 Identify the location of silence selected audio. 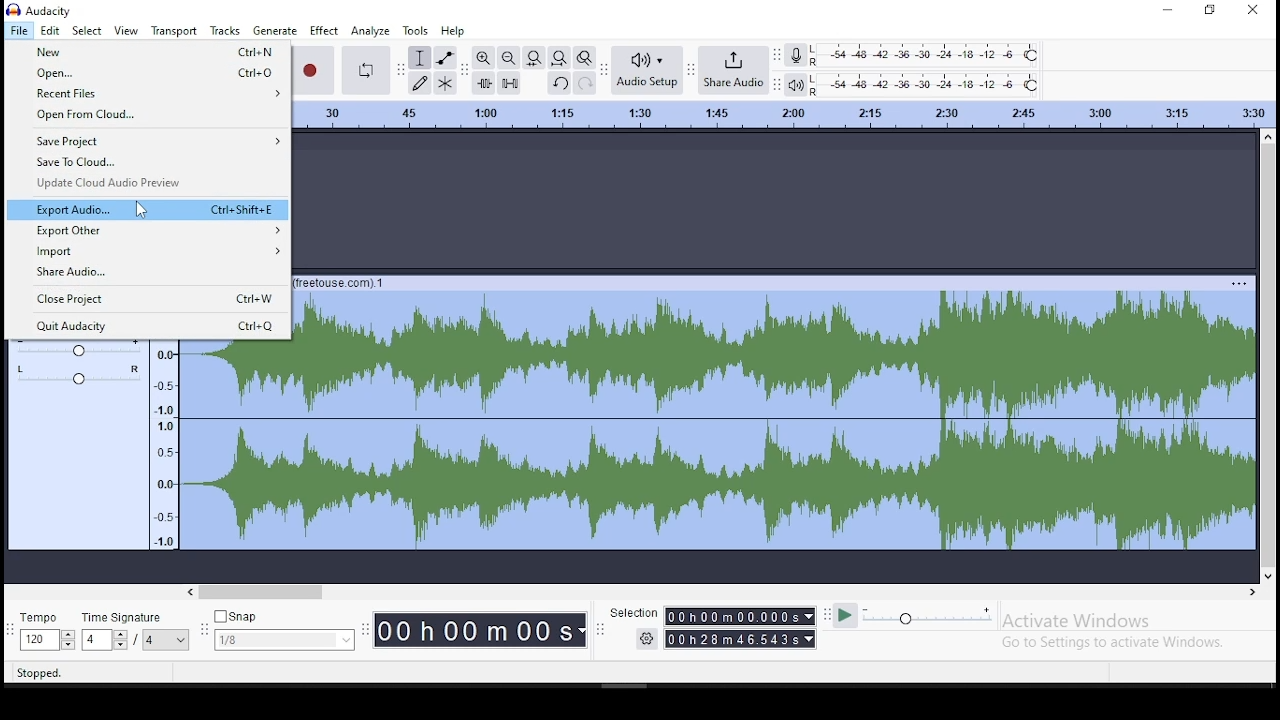
(509, 83).